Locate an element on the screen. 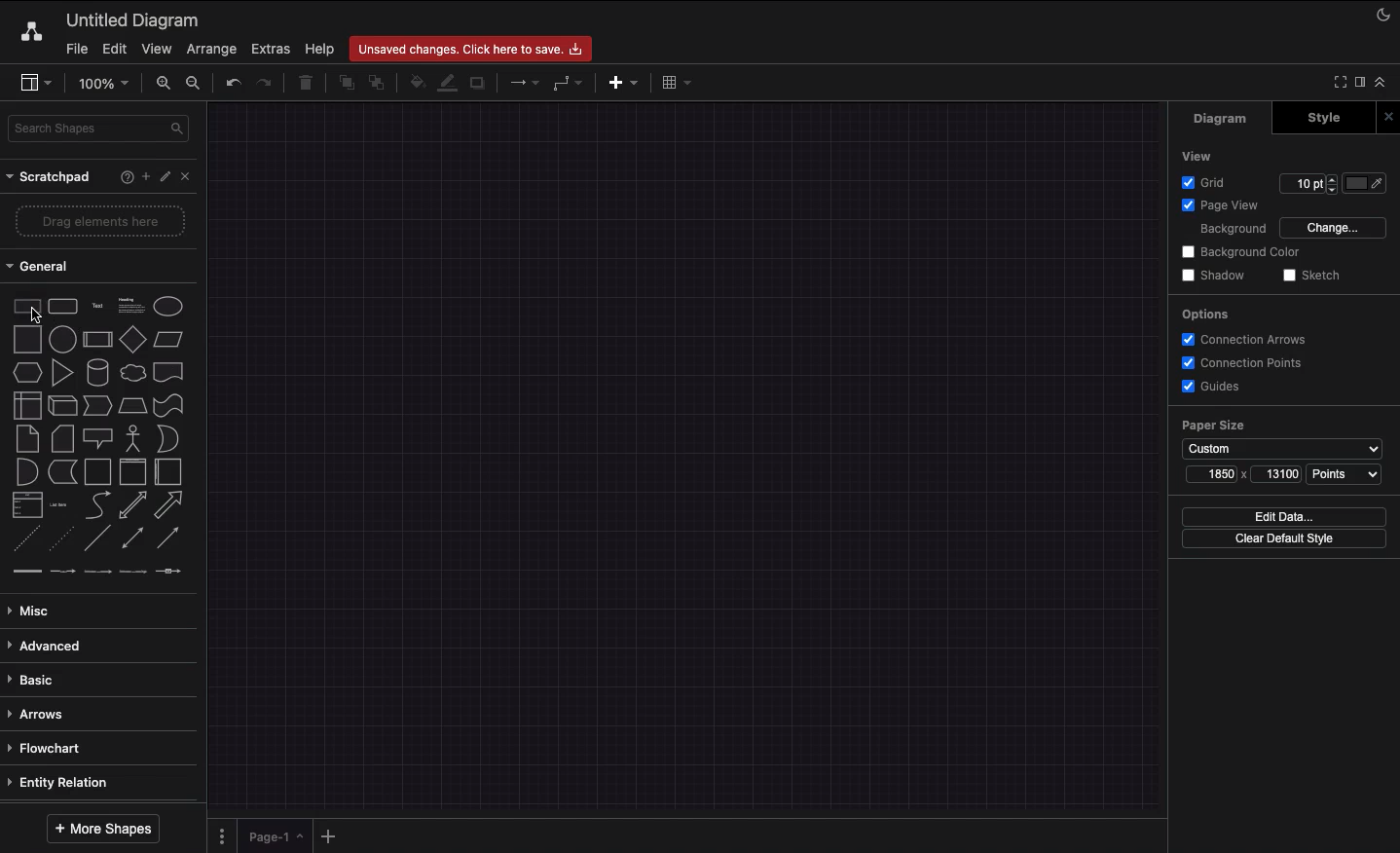  Arrange is located at coordinates (210, 49).